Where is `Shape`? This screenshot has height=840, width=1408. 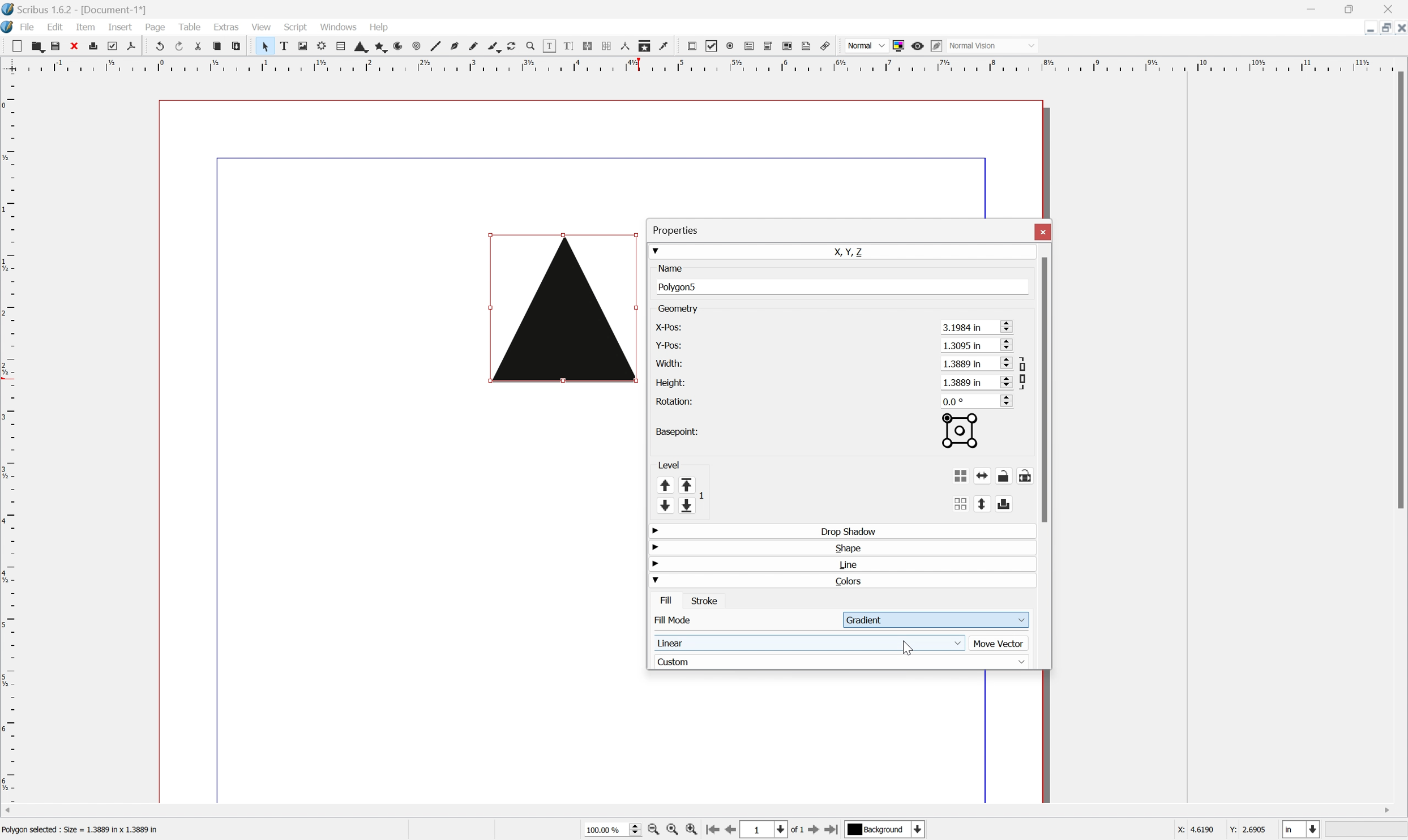 Shape is located at coordinates (357, 48).